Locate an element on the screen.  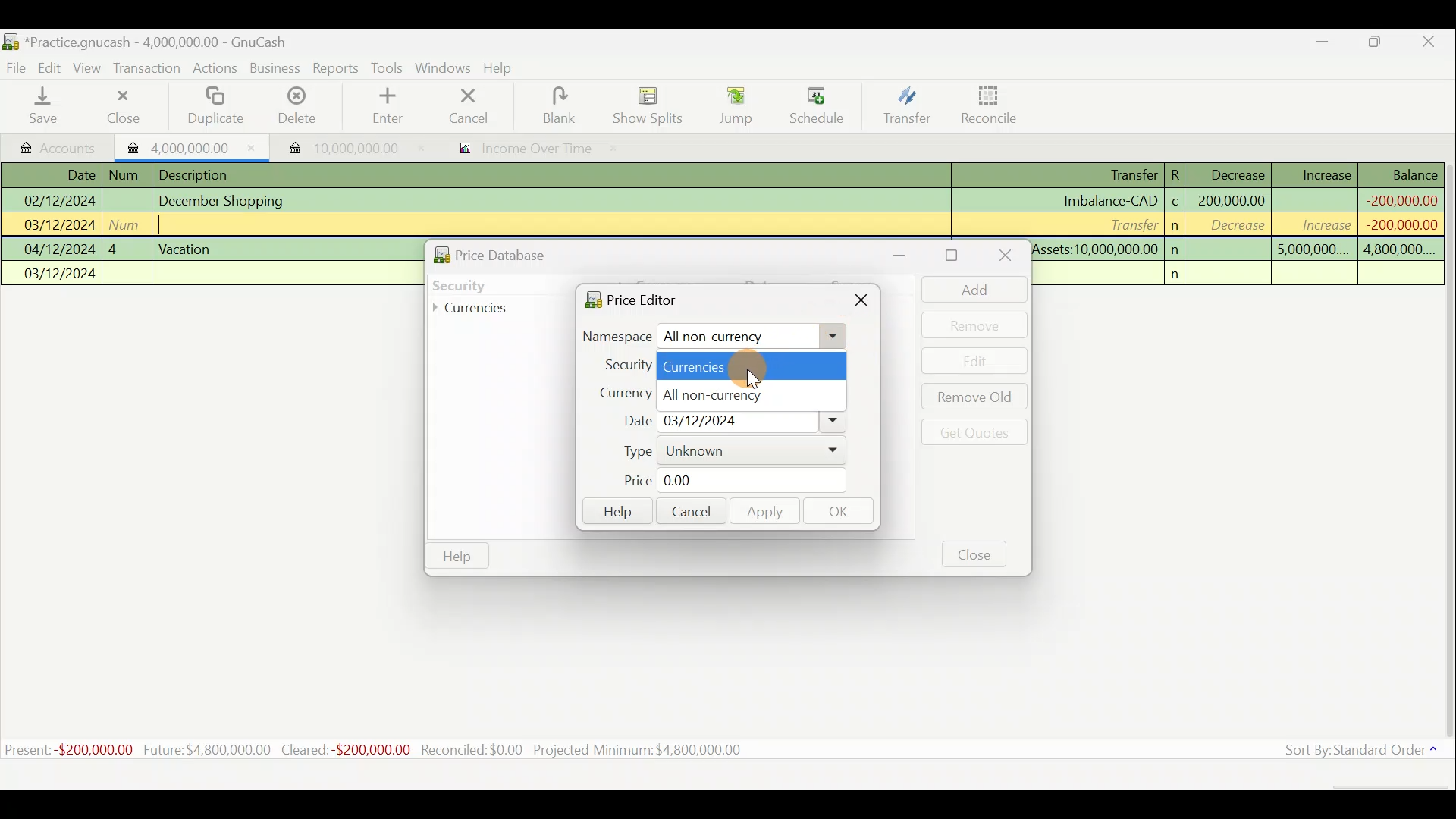
Decrease is located at coordinates (1237, 174).